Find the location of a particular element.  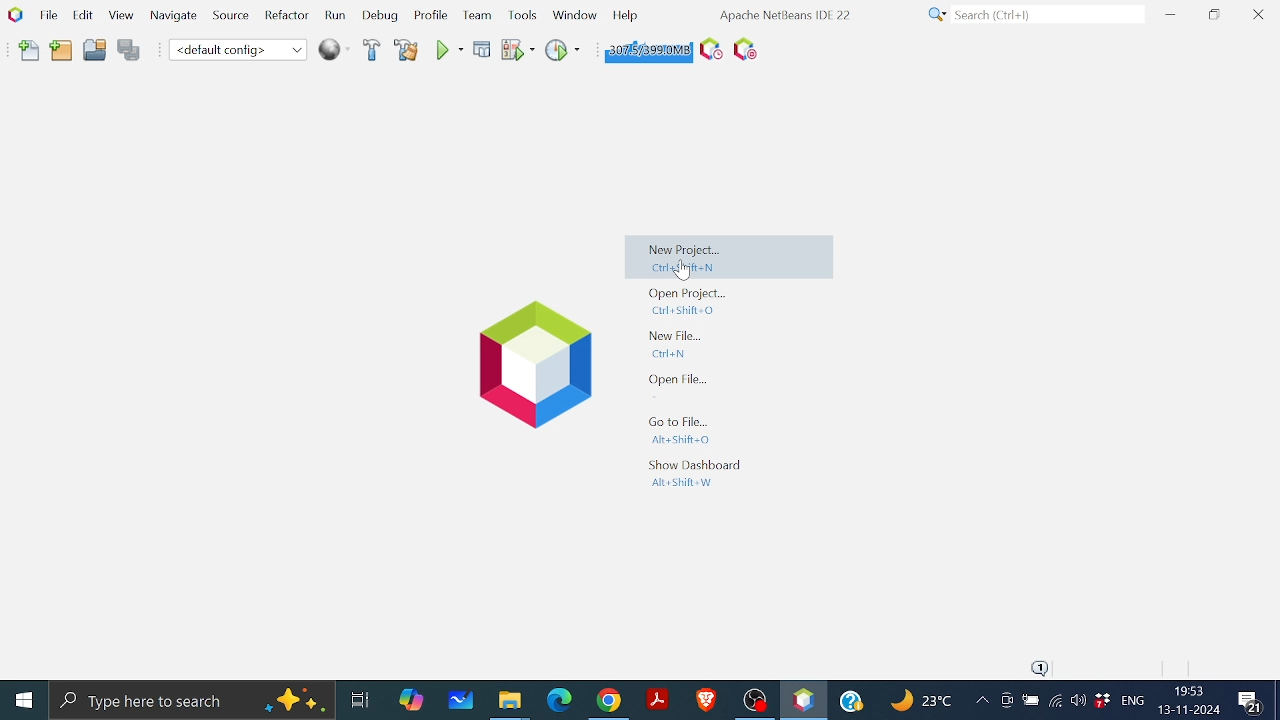

View is located at coordinates (120, 16).